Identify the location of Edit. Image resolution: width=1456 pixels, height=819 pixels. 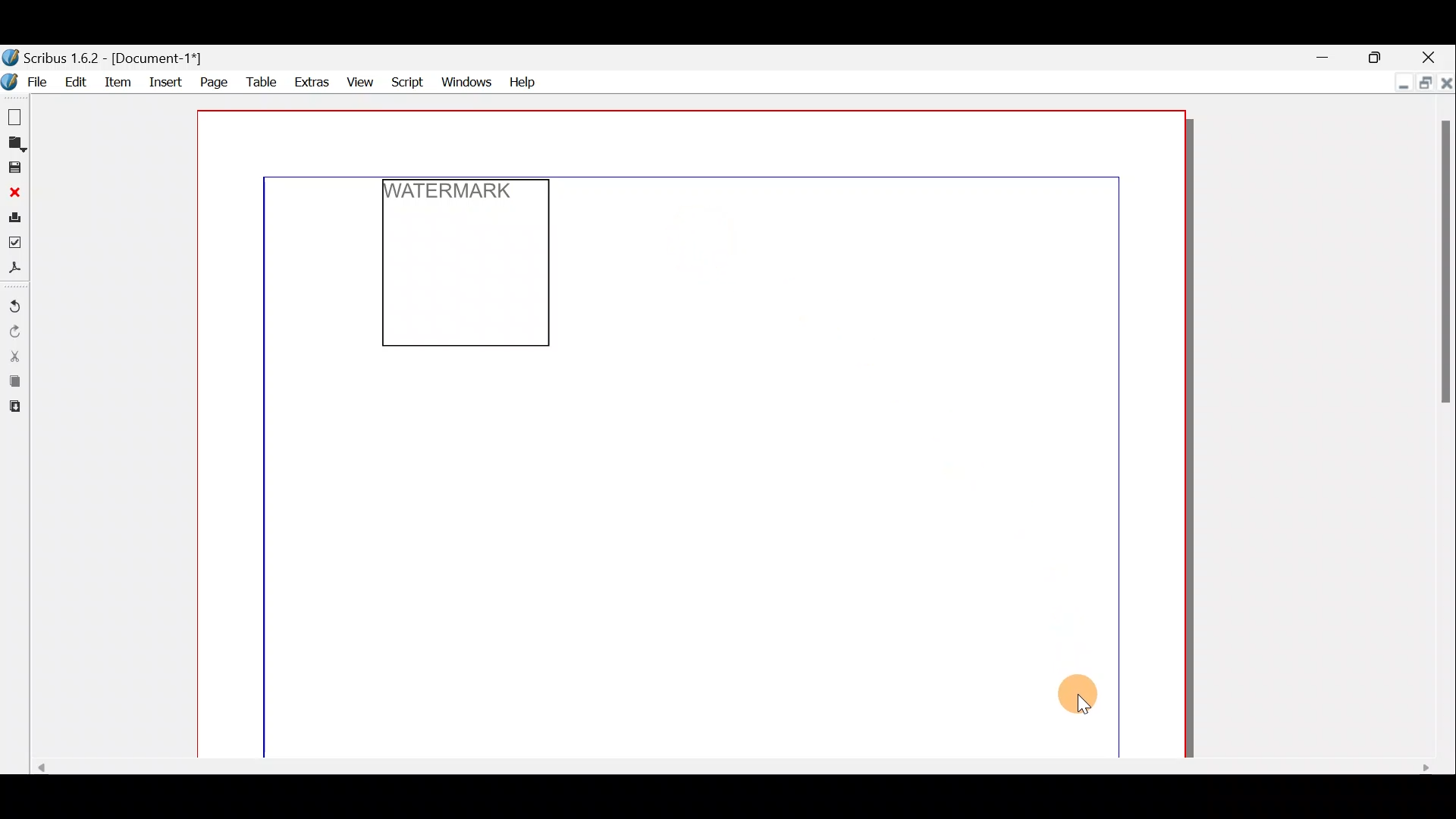
(77, 81).